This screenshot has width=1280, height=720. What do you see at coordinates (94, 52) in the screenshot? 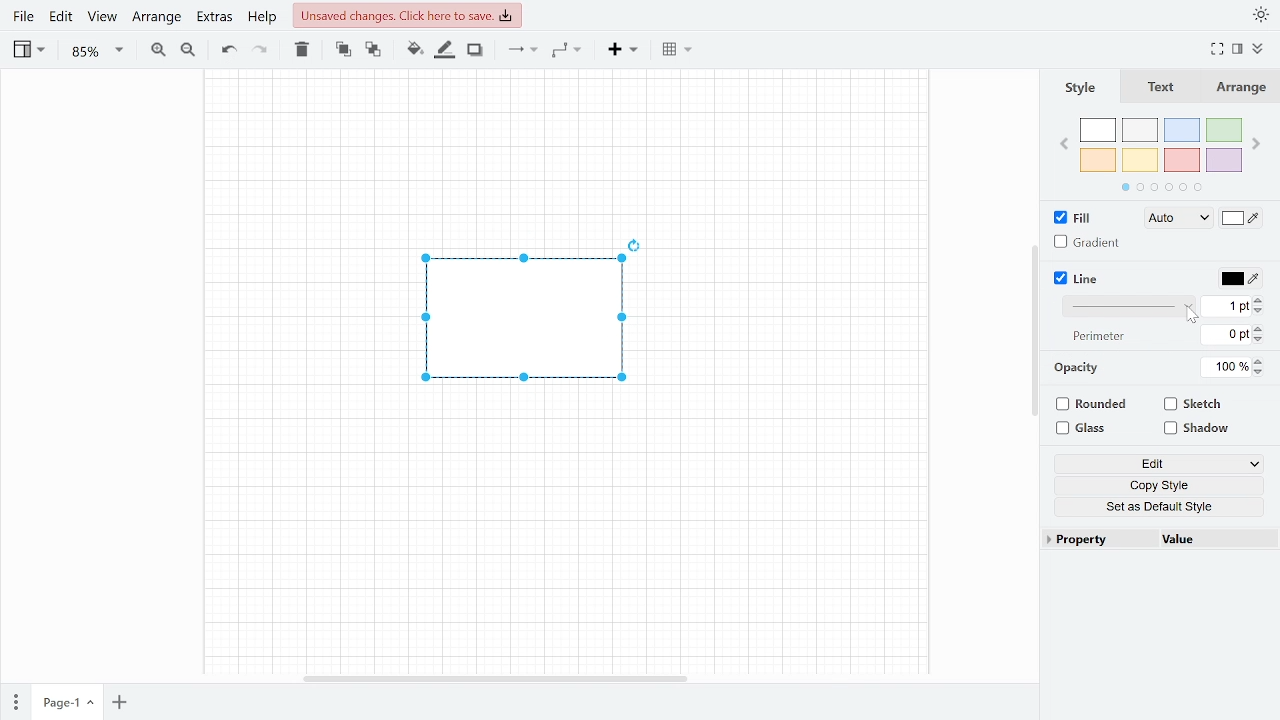
I see `Zoom(85%)` at bounding box center [94, 52].